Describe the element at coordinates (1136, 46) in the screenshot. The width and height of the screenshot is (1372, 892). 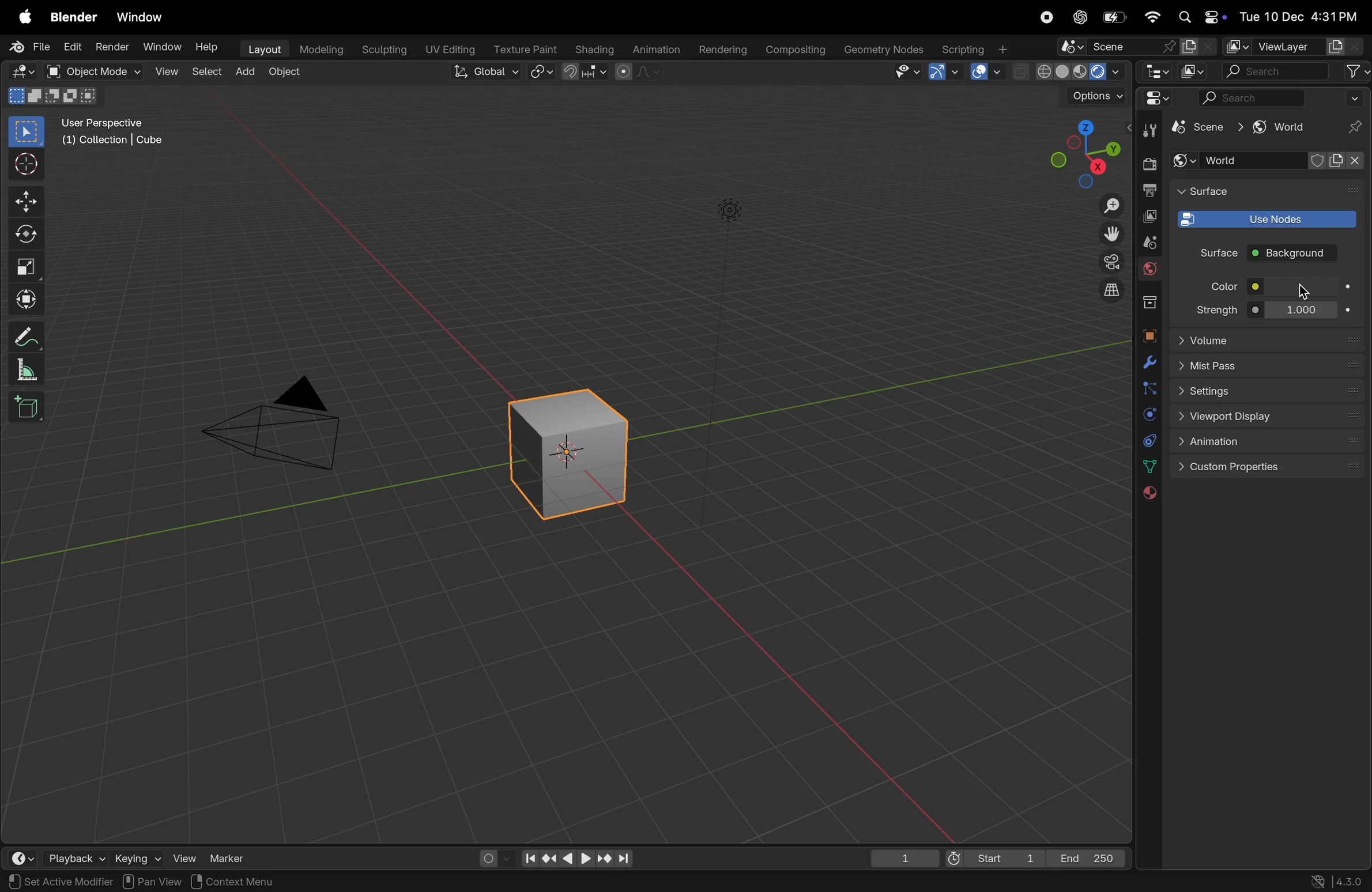
I see `scene` at that location.